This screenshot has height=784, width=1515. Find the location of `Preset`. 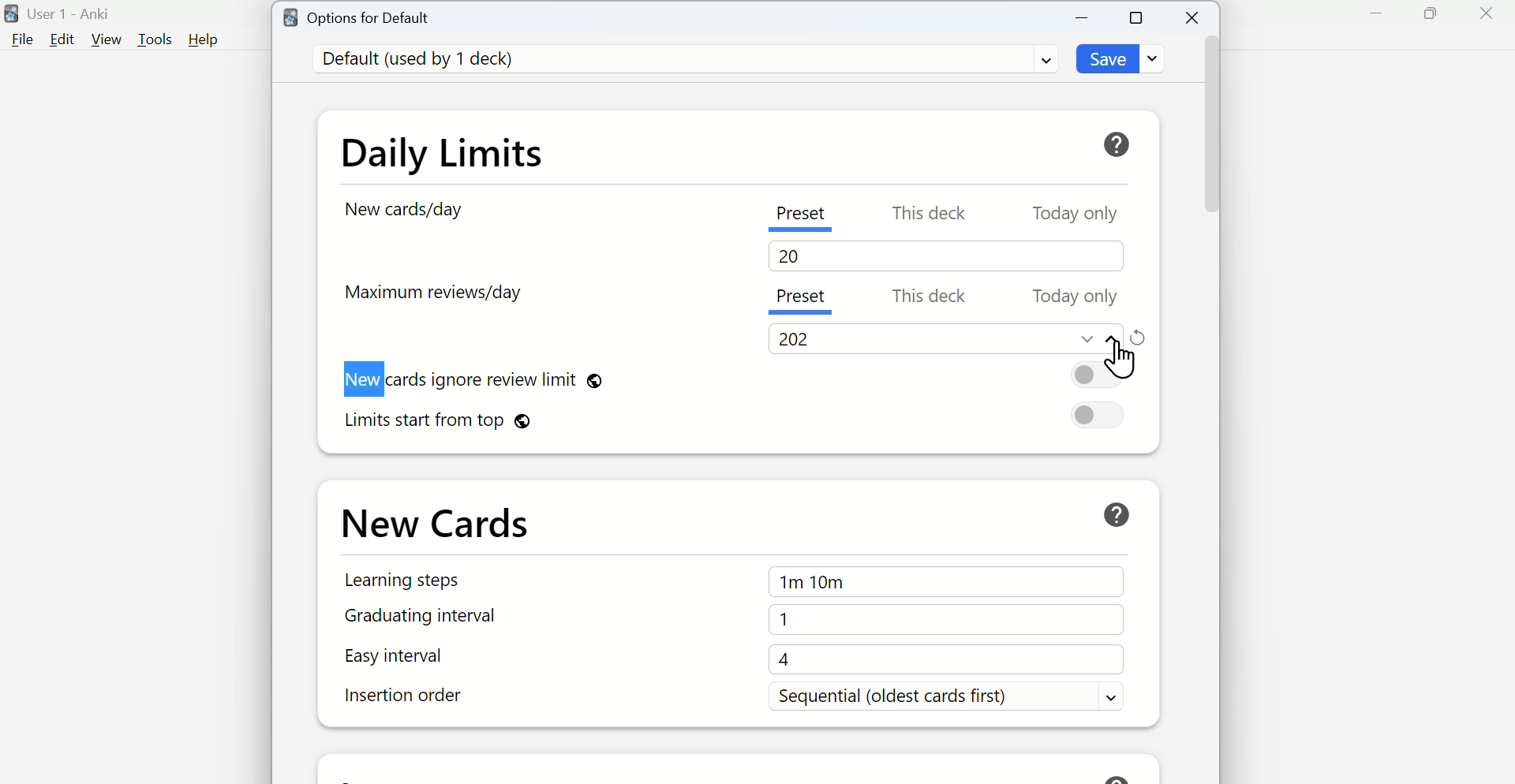

Preset is located at coordinates (801, 298).